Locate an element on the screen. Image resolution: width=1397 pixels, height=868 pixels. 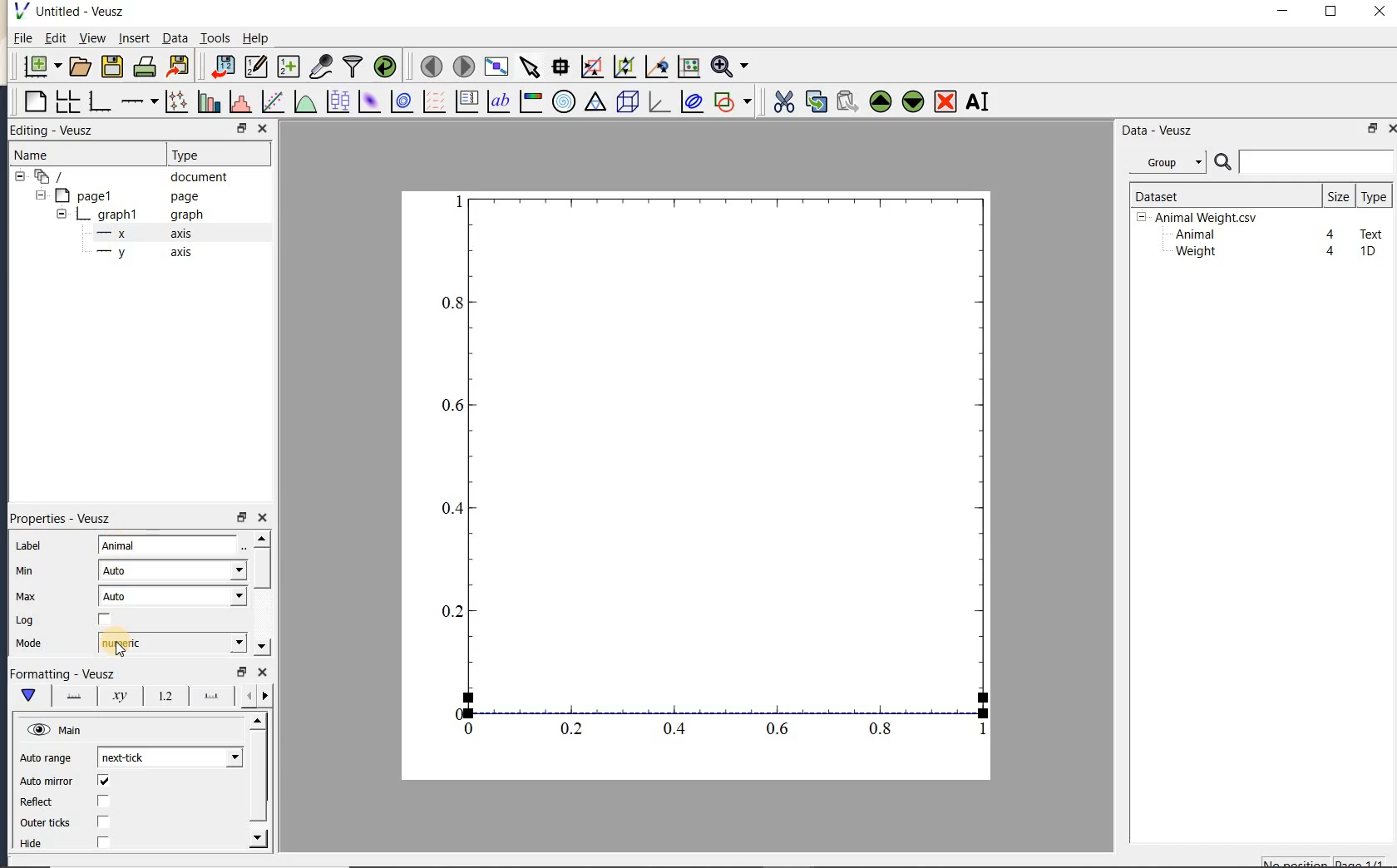
size is located at coordinates (1338, 195).